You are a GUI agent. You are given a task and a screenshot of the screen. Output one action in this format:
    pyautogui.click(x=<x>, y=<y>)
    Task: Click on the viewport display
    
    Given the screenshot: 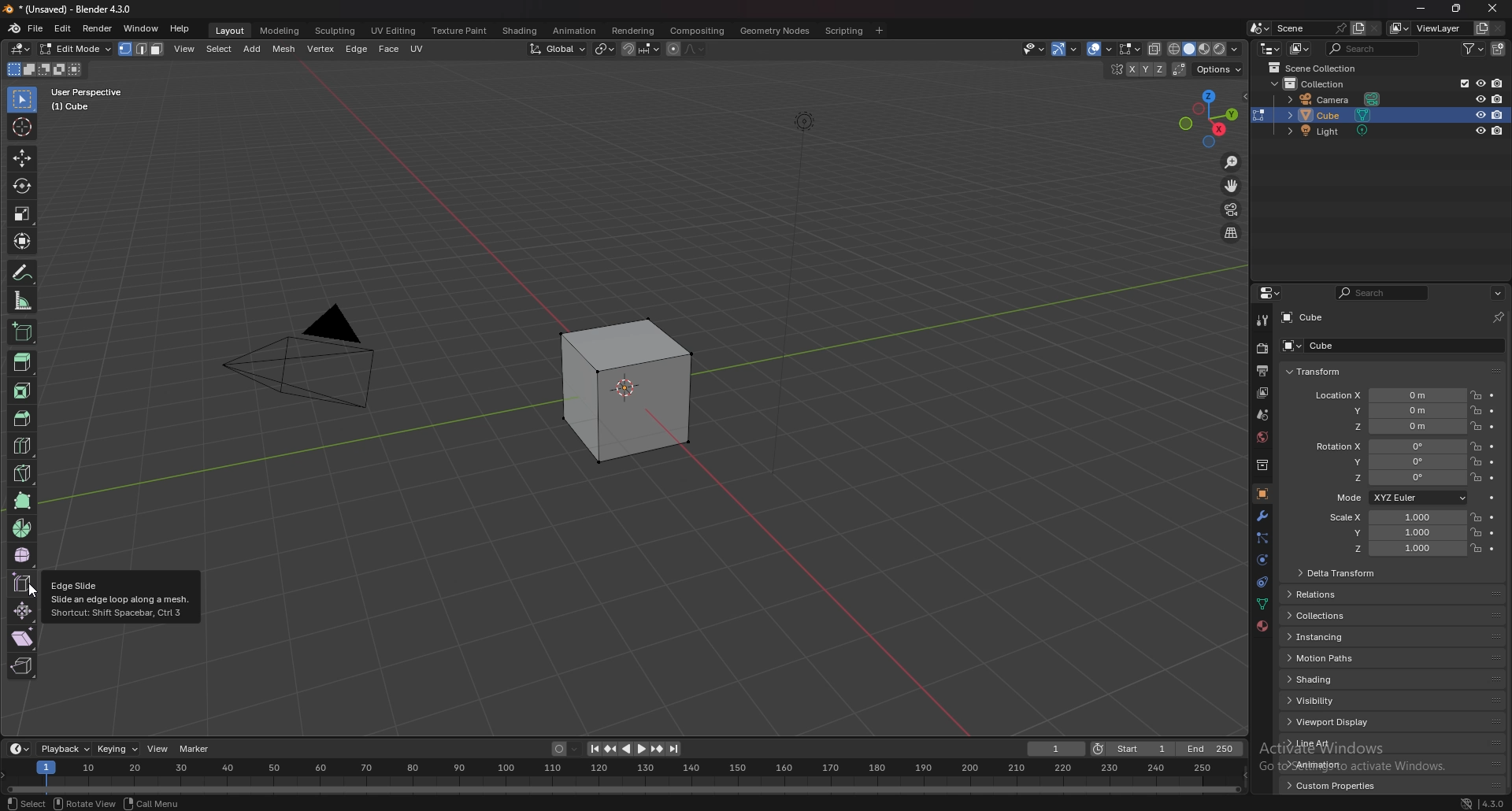 What is the action you would take?
    pyautogui.click(x=1336, y=722)
    